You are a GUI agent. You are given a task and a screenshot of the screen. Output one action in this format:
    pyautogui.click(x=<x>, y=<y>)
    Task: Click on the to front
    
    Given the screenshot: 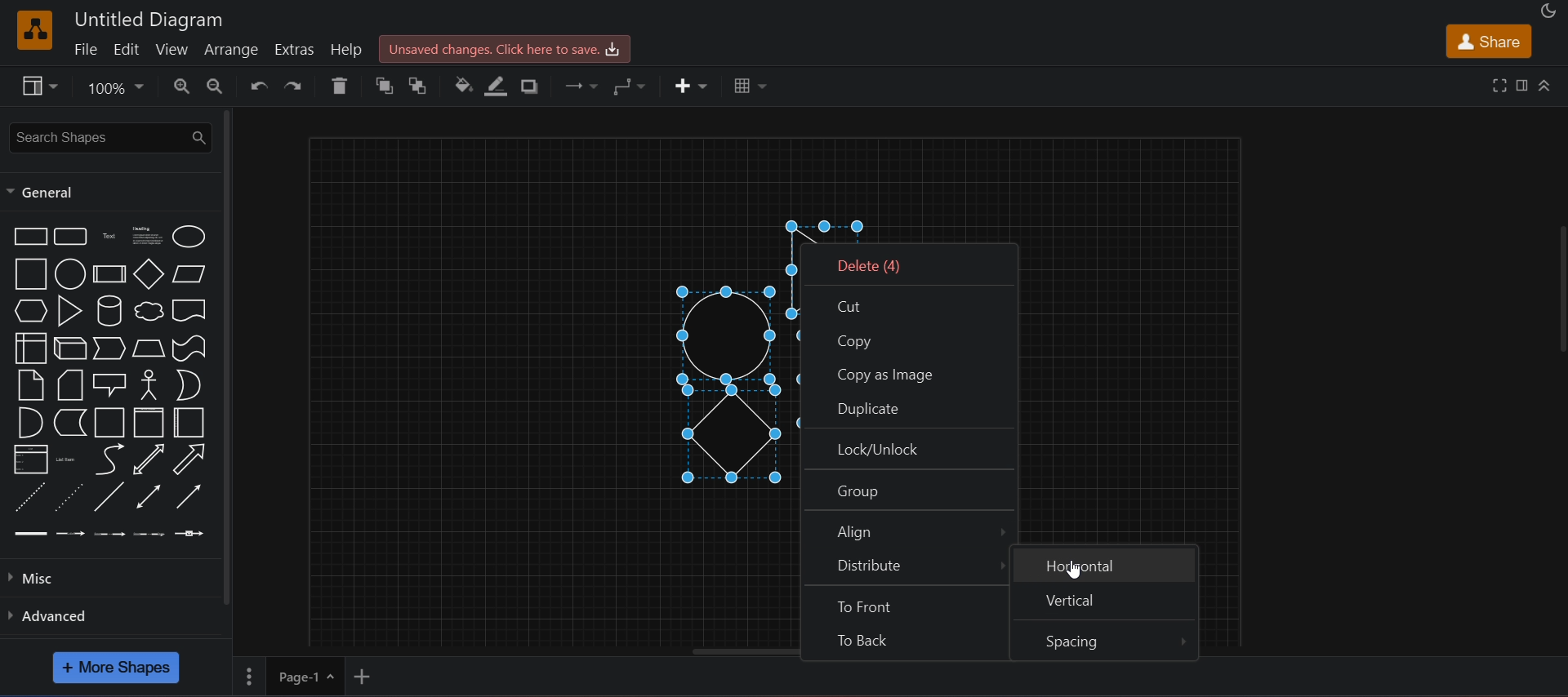 What is the action you would take?
    pyautogui.click(x=387, y=87)
    